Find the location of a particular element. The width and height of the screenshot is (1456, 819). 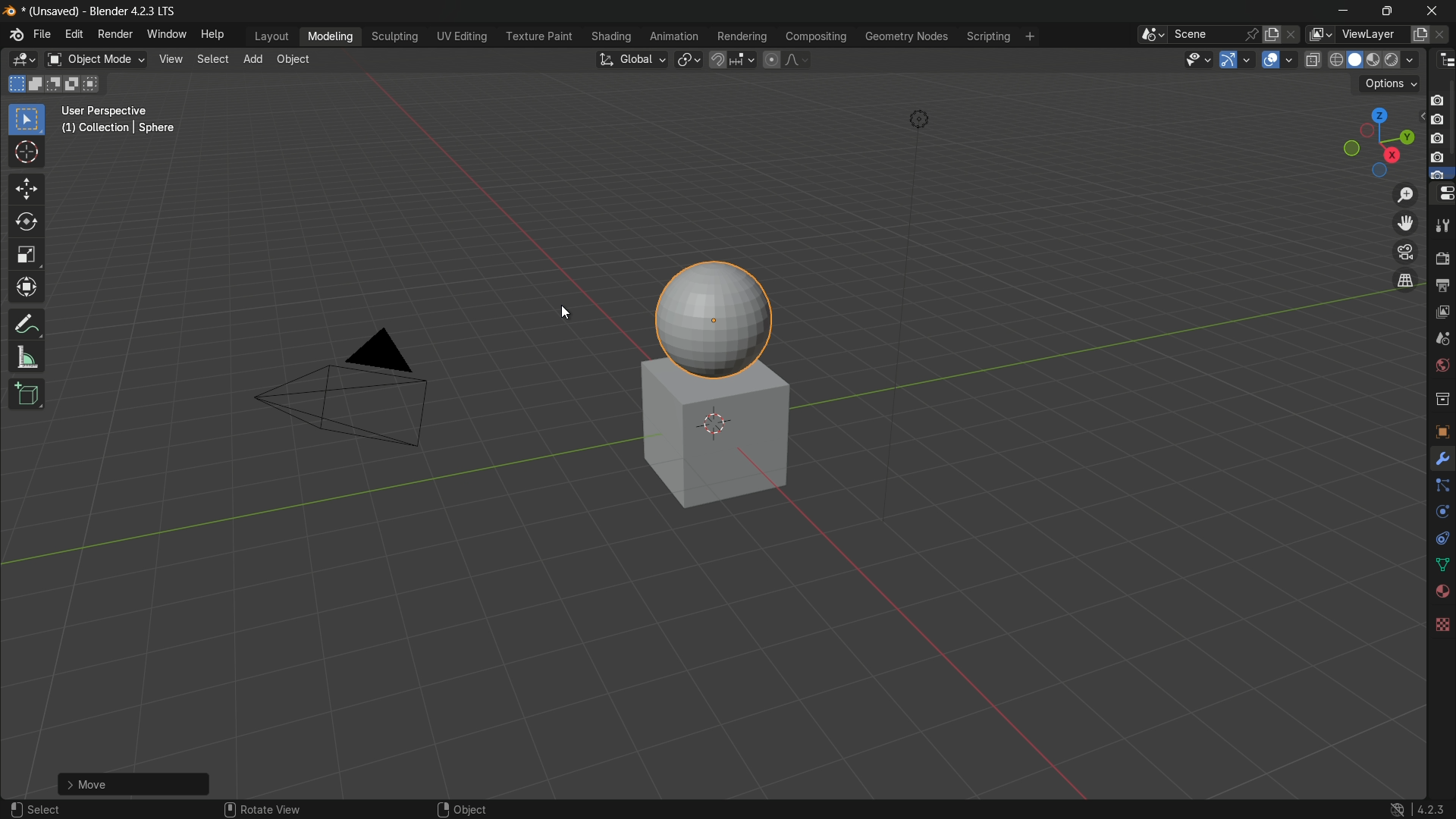

sphere and a cube is located at coordinates (716, 384).